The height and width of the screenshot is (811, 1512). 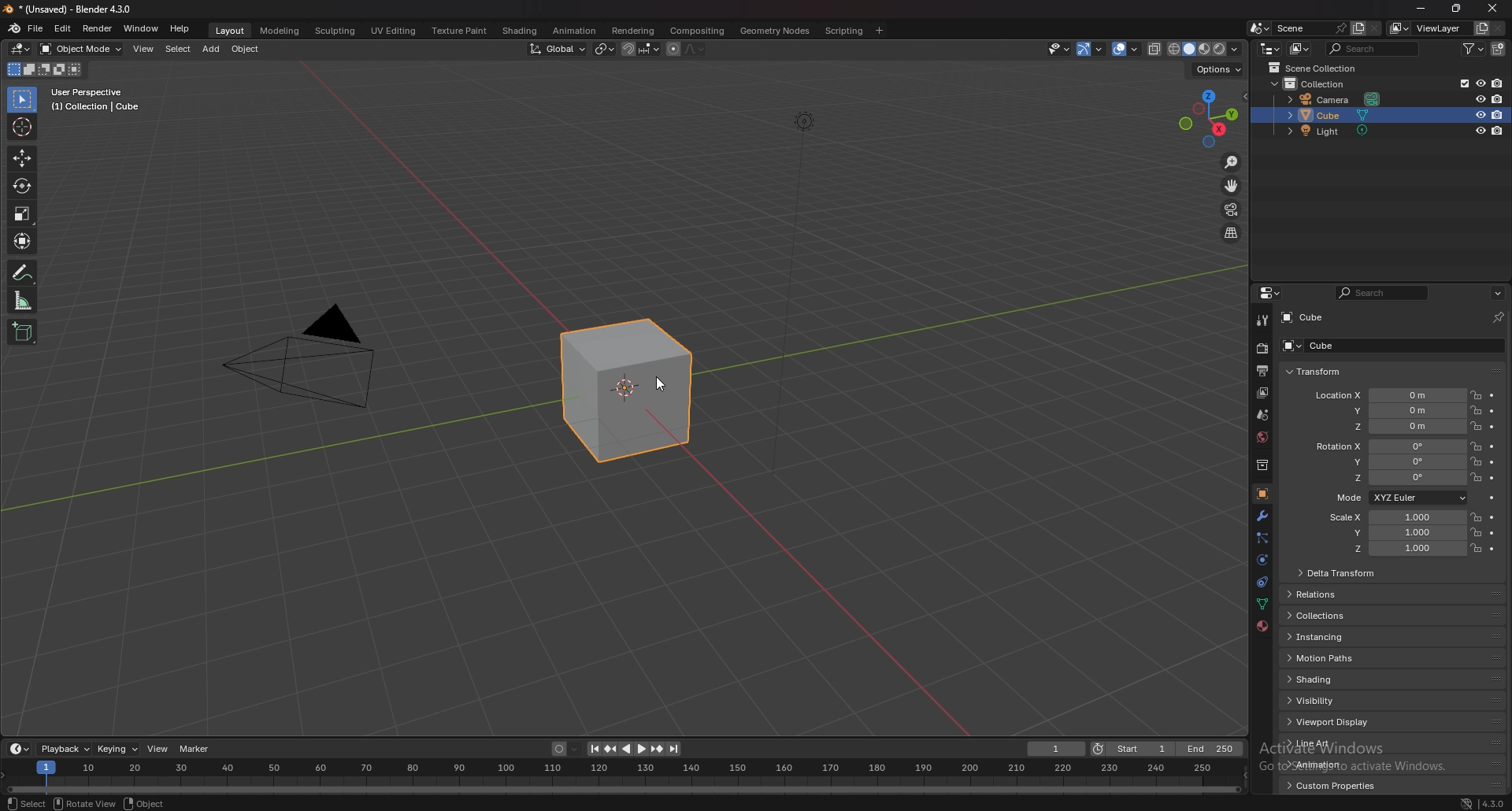 I want to click on proportional editing objects, so click(x=686, y=50).